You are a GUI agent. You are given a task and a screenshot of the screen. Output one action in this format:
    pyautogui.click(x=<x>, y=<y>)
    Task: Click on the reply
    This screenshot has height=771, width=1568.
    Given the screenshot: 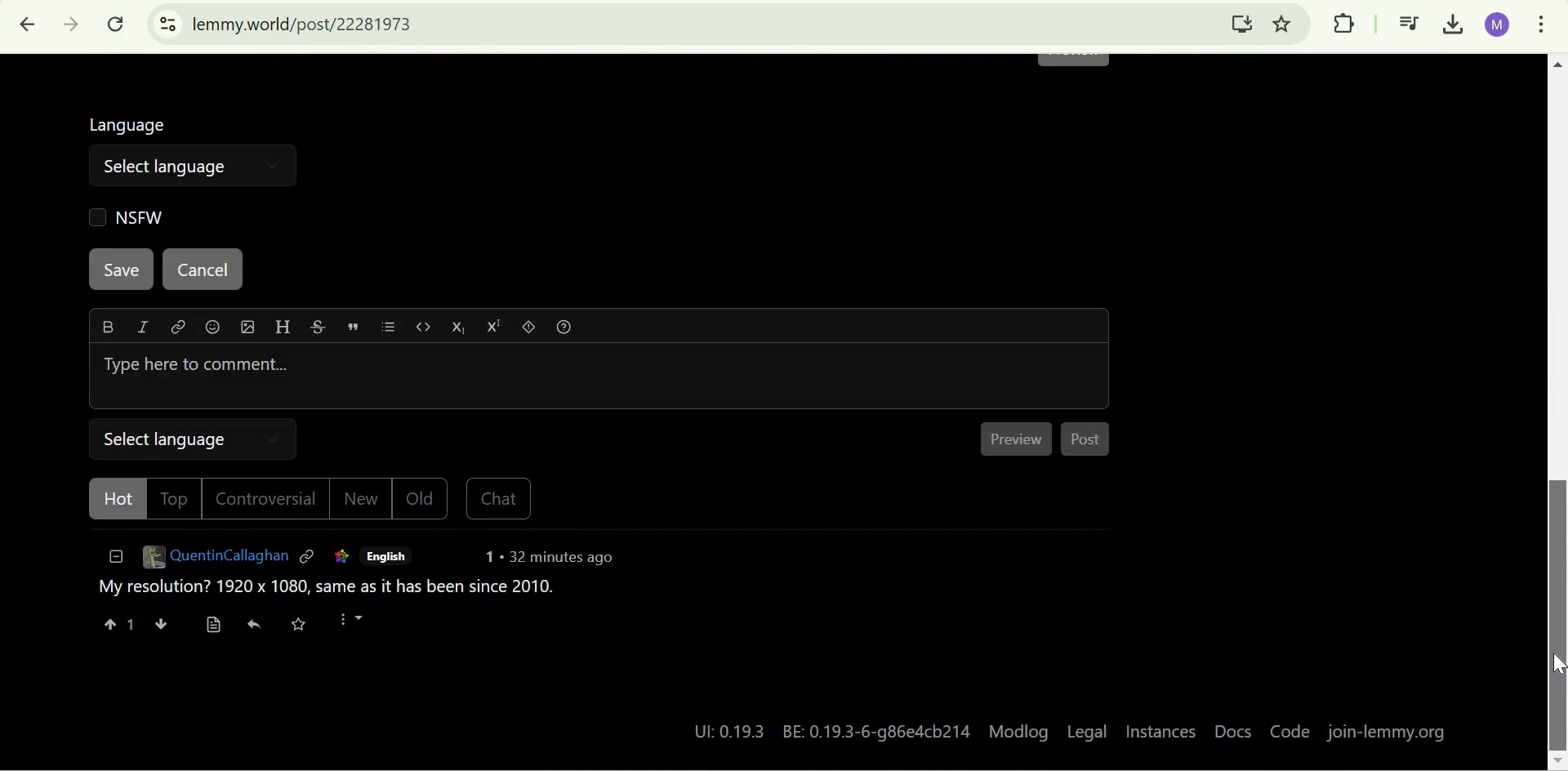 What is the action you would take?
    pyautogui.click(x=256, y=627)
    